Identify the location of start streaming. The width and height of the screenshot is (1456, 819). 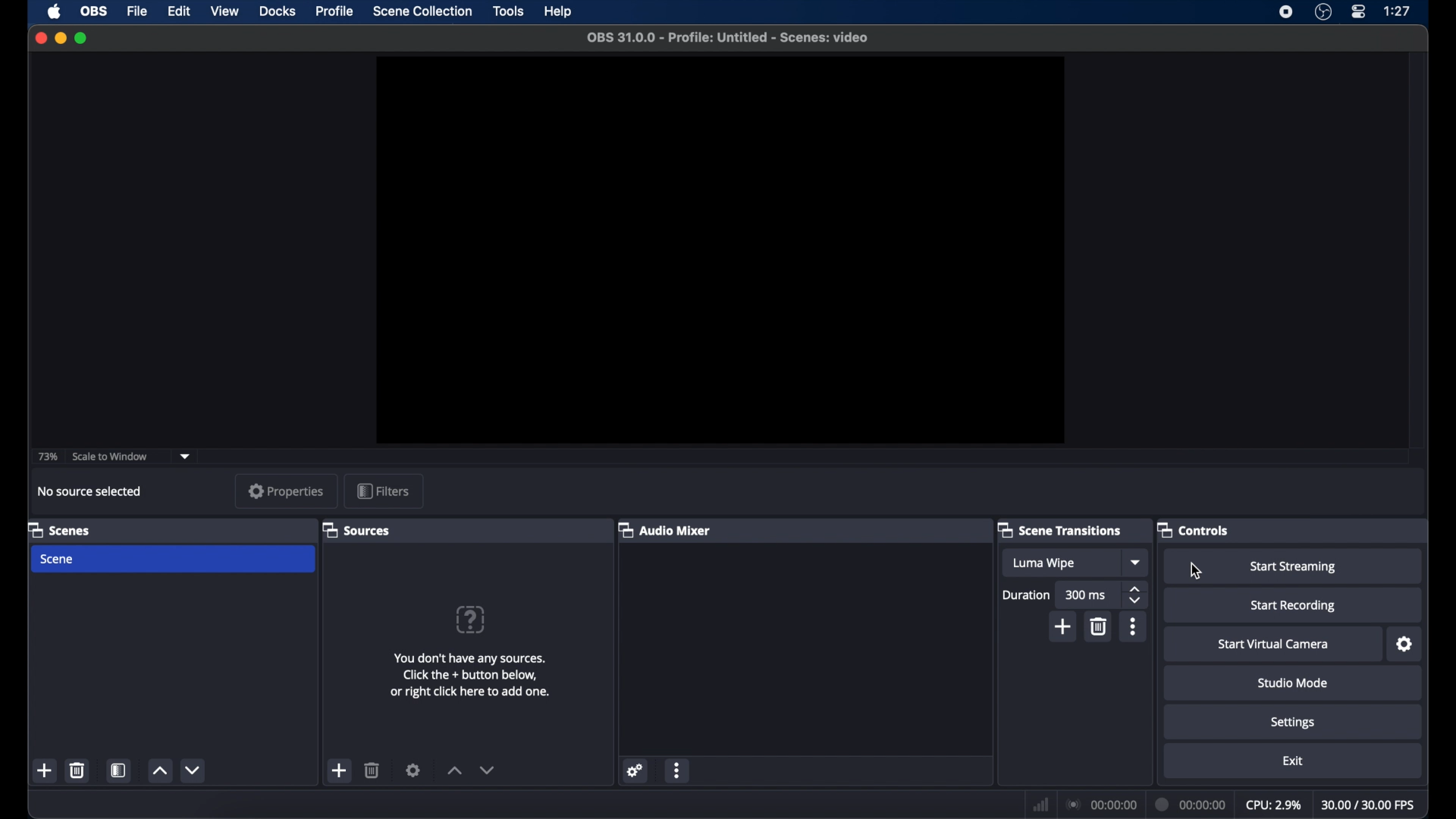
(1294, 567).